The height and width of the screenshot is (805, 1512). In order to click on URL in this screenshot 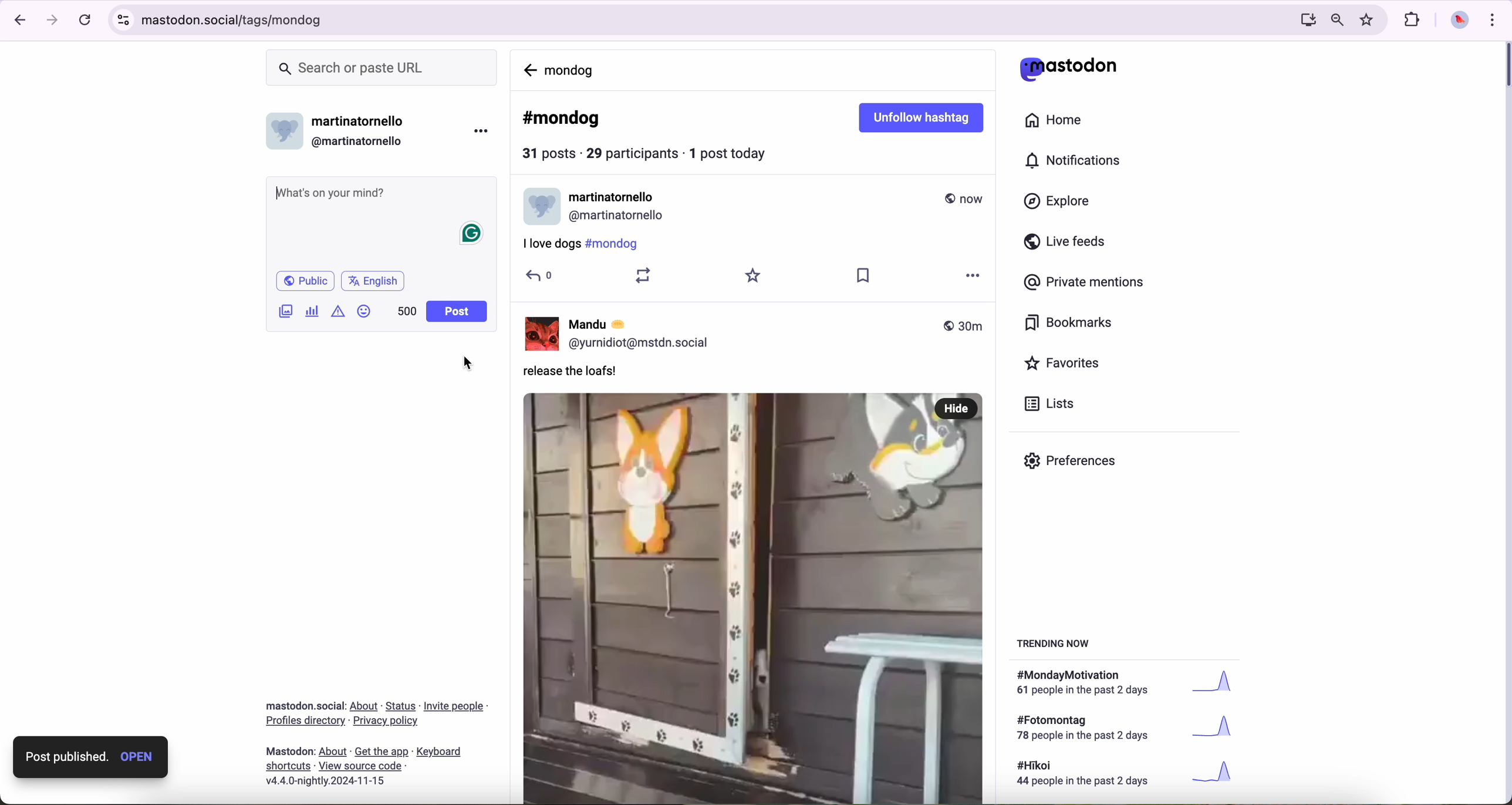, I will do `click(696, 22)`.